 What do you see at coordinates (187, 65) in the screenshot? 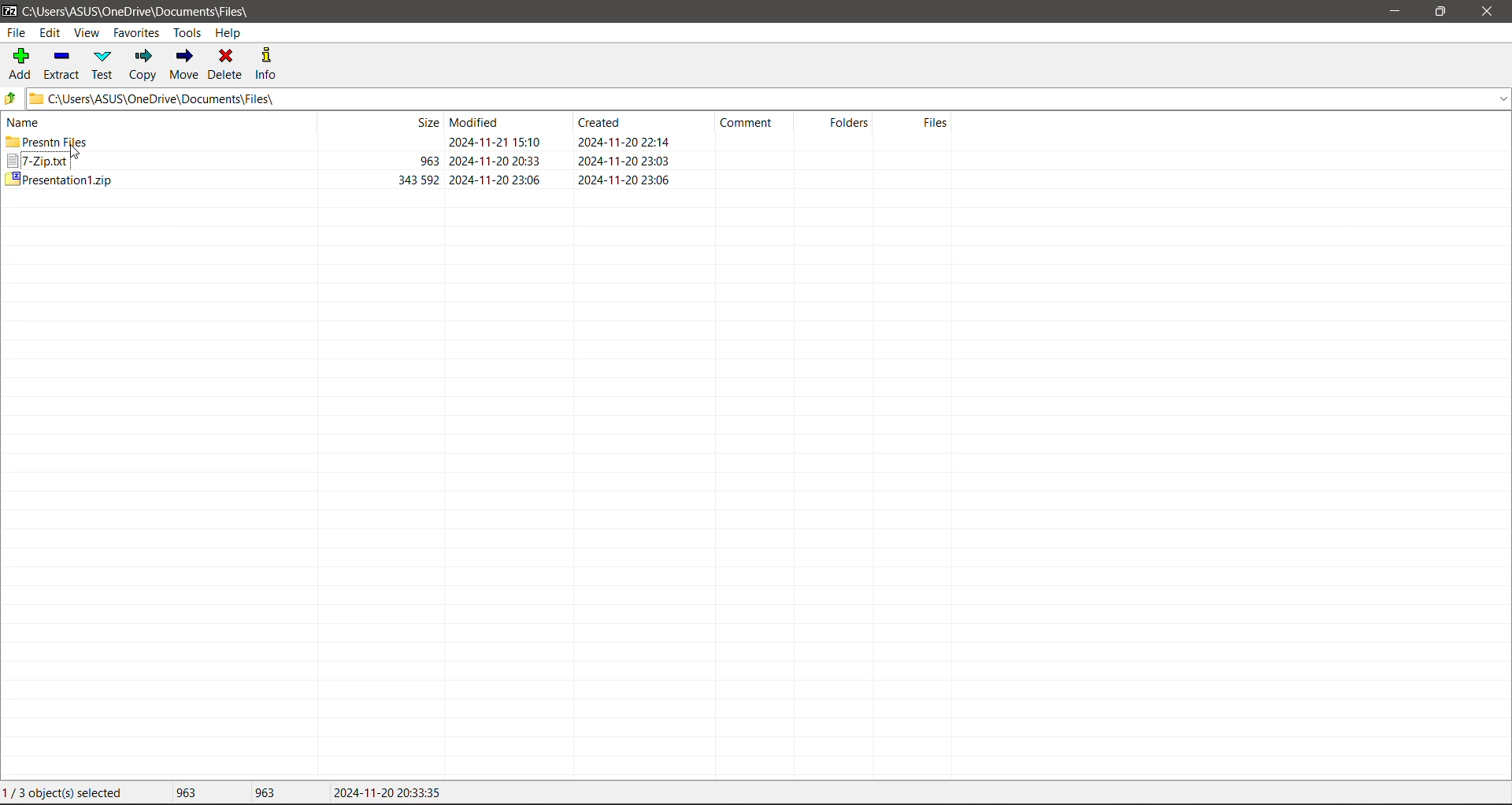
I see `Move` at bounding box center [187, 65].